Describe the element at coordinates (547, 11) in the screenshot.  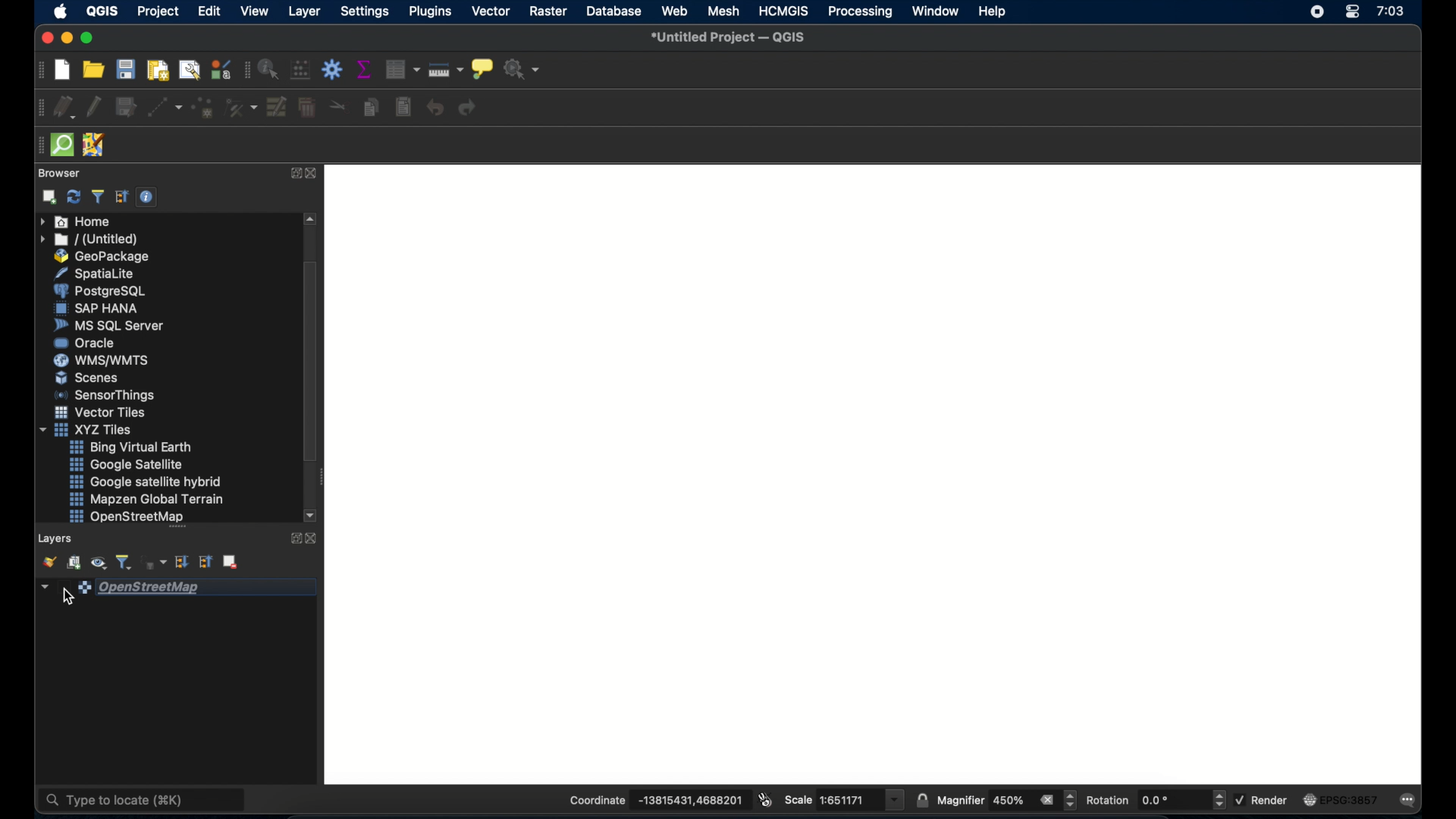
I see `raster` at that location.